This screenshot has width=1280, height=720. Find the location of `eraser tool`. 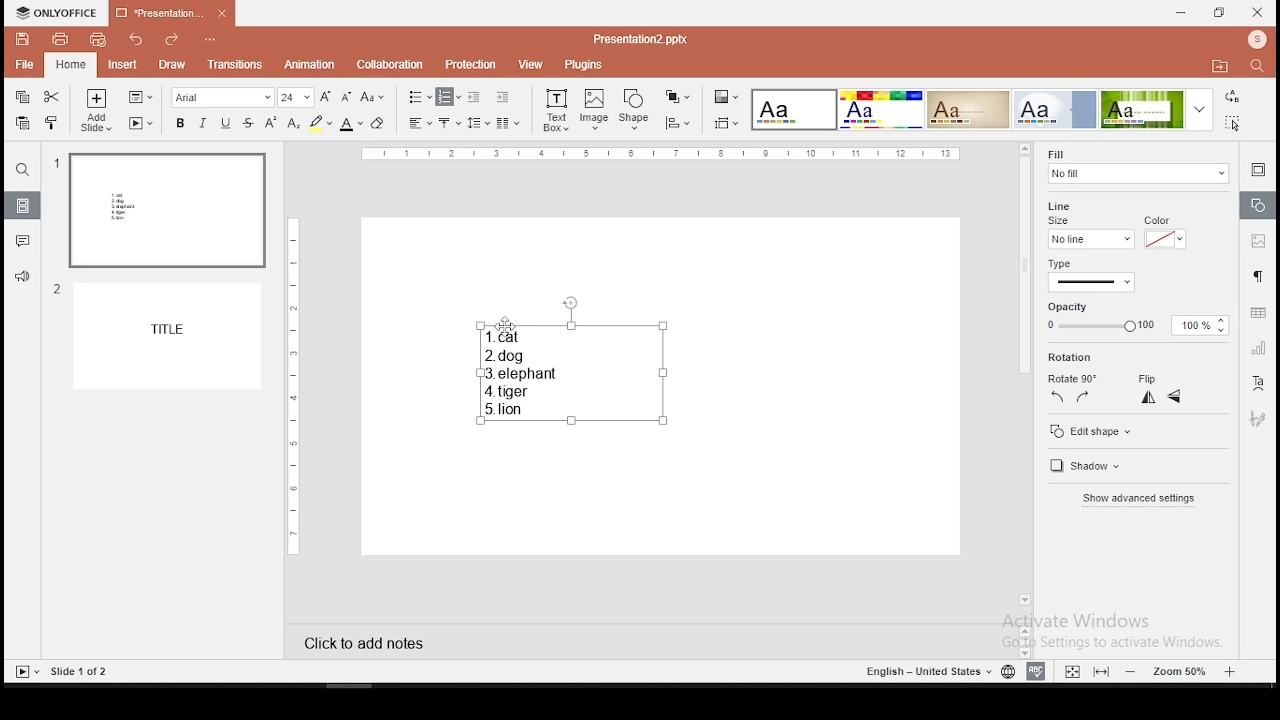

eraser tool is located at coordinates (380, 123).